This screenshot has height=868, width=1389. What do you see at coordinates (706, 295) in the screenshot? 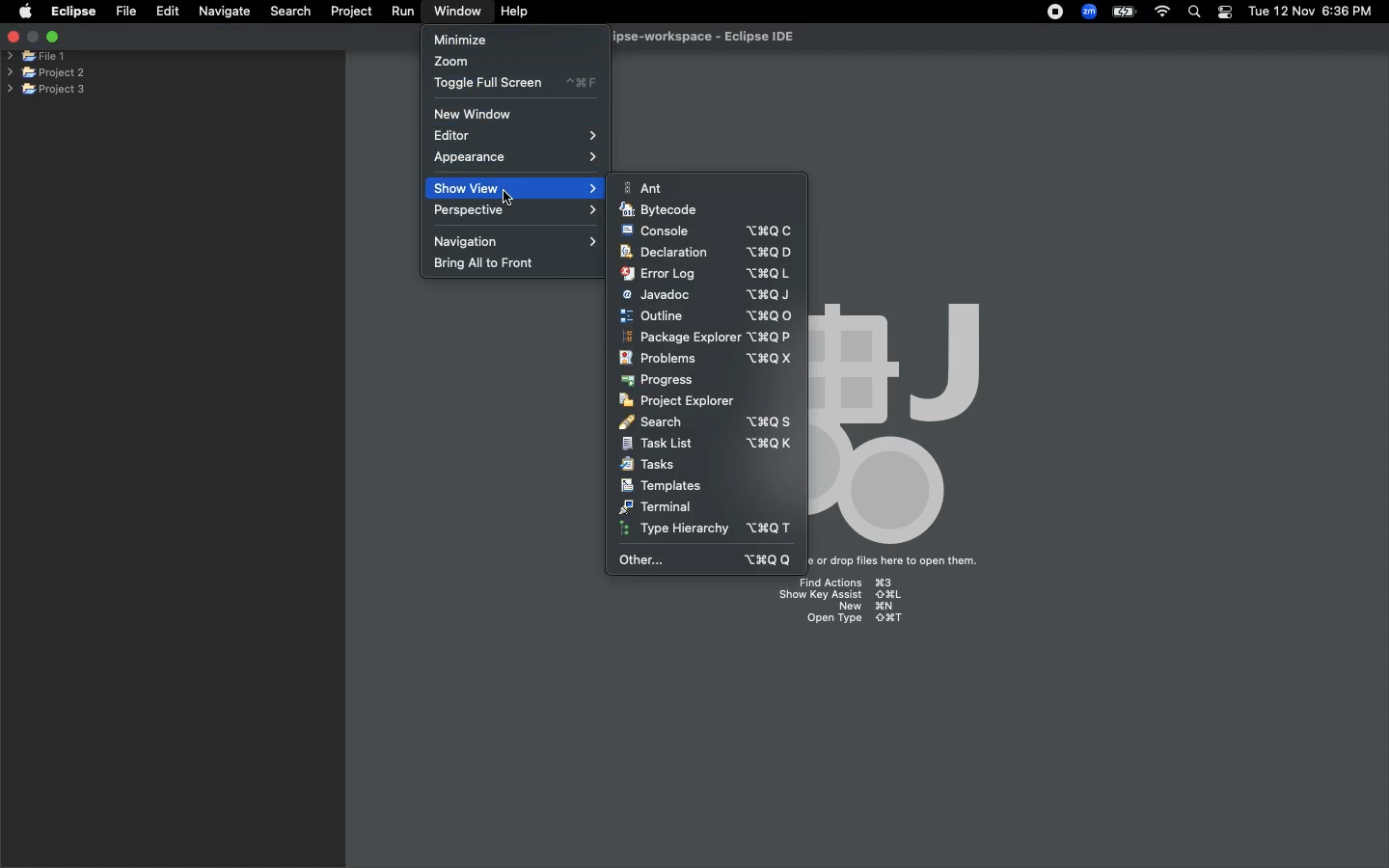
I see `Javadoc` at bounding box center [706, 295].